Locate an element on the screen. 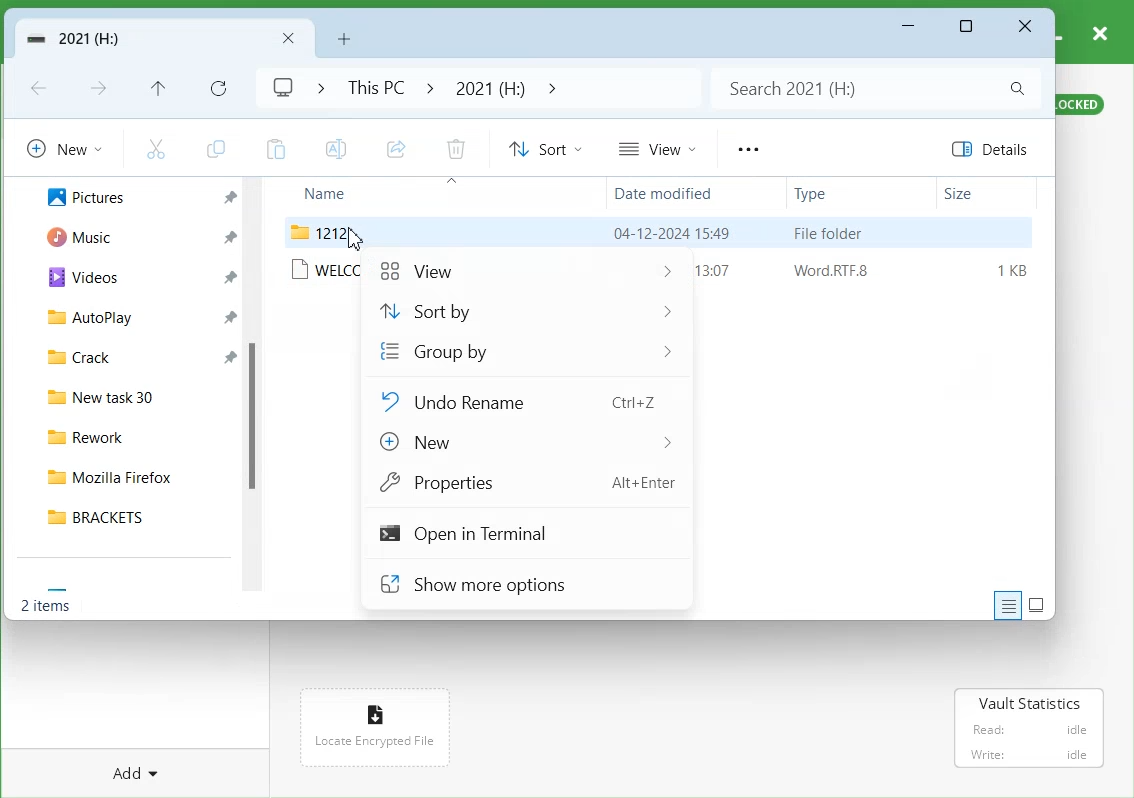 The height and width of the screenshot is (798, 1134). View  is located at coordinates (656, 148).